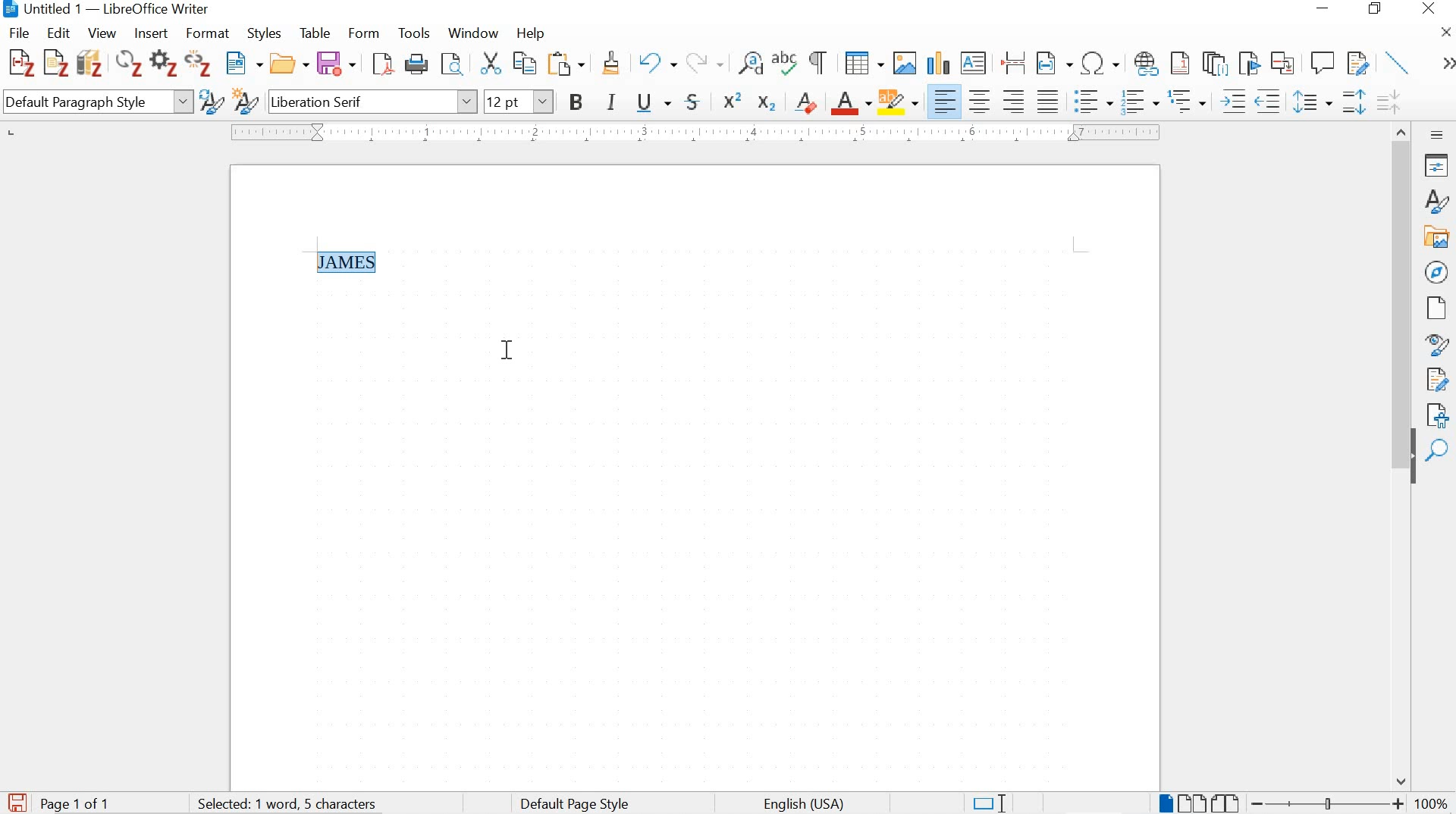  What do you see at coordinates (519, 101) in the screenshot?
I see `font size` at bounding box center [519, 101].